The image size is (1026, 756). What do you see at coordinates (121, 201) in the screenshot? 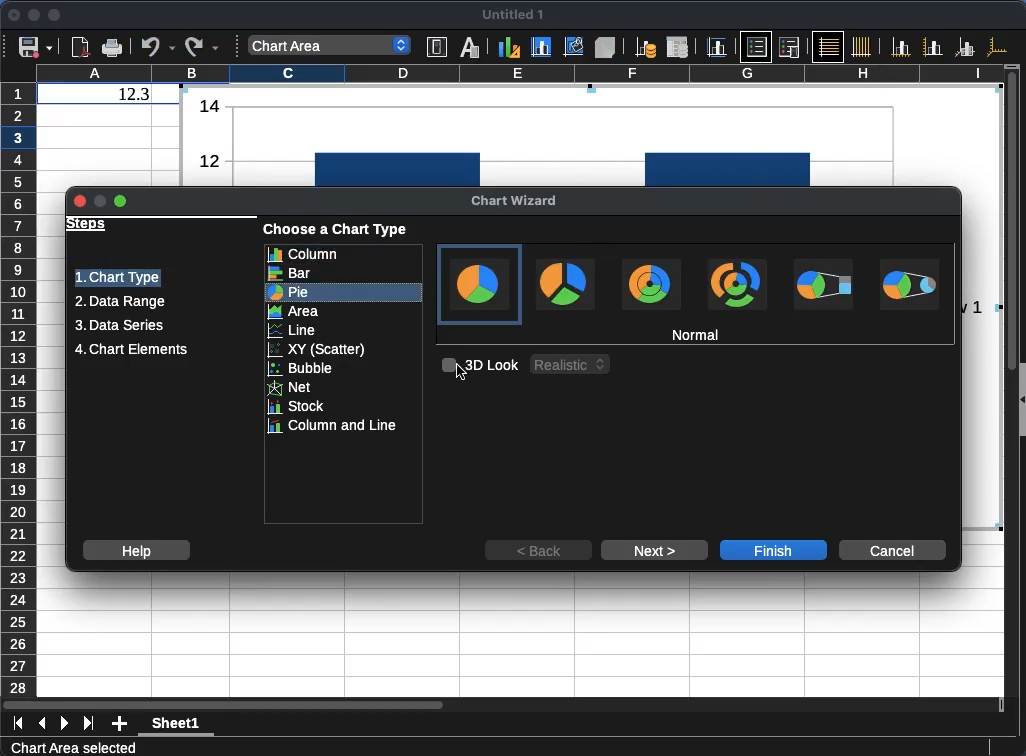
I see `Maximize` at bounding box center [121, 201].